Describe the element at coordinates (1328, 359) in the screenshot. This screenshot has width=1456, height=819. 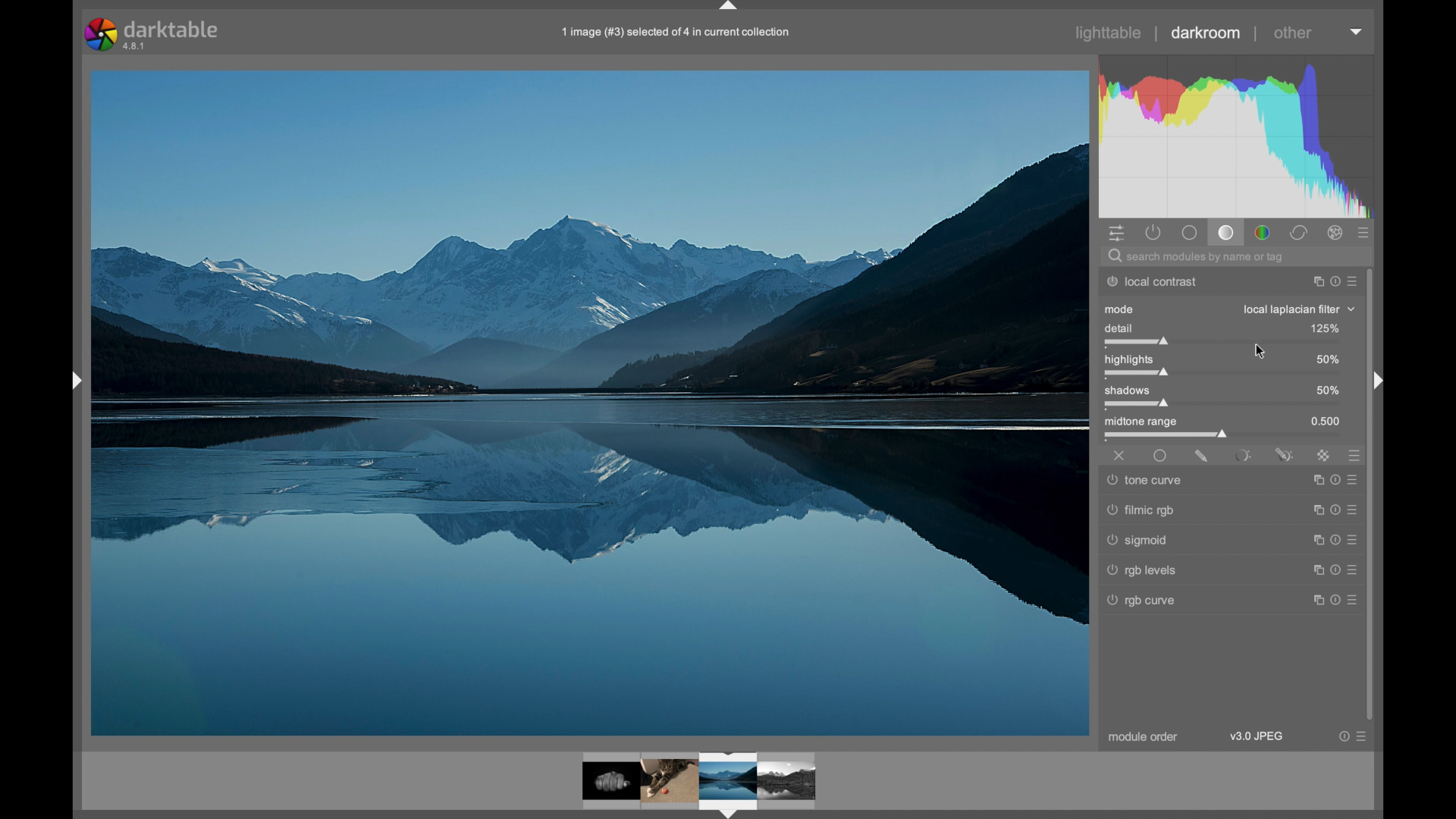
I see `` at that location.